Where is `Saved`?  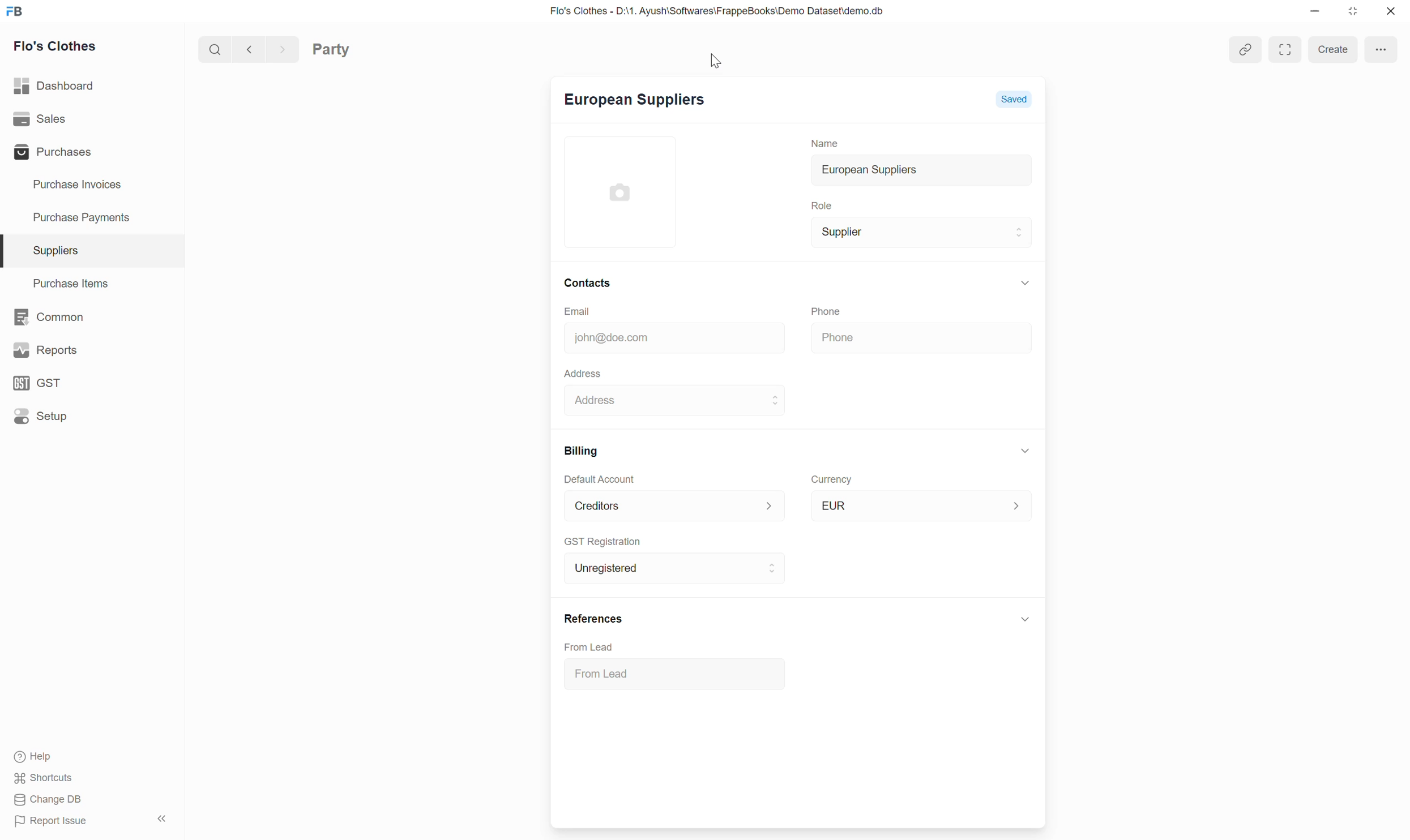
Saved is located at coordinates (1019, 101).